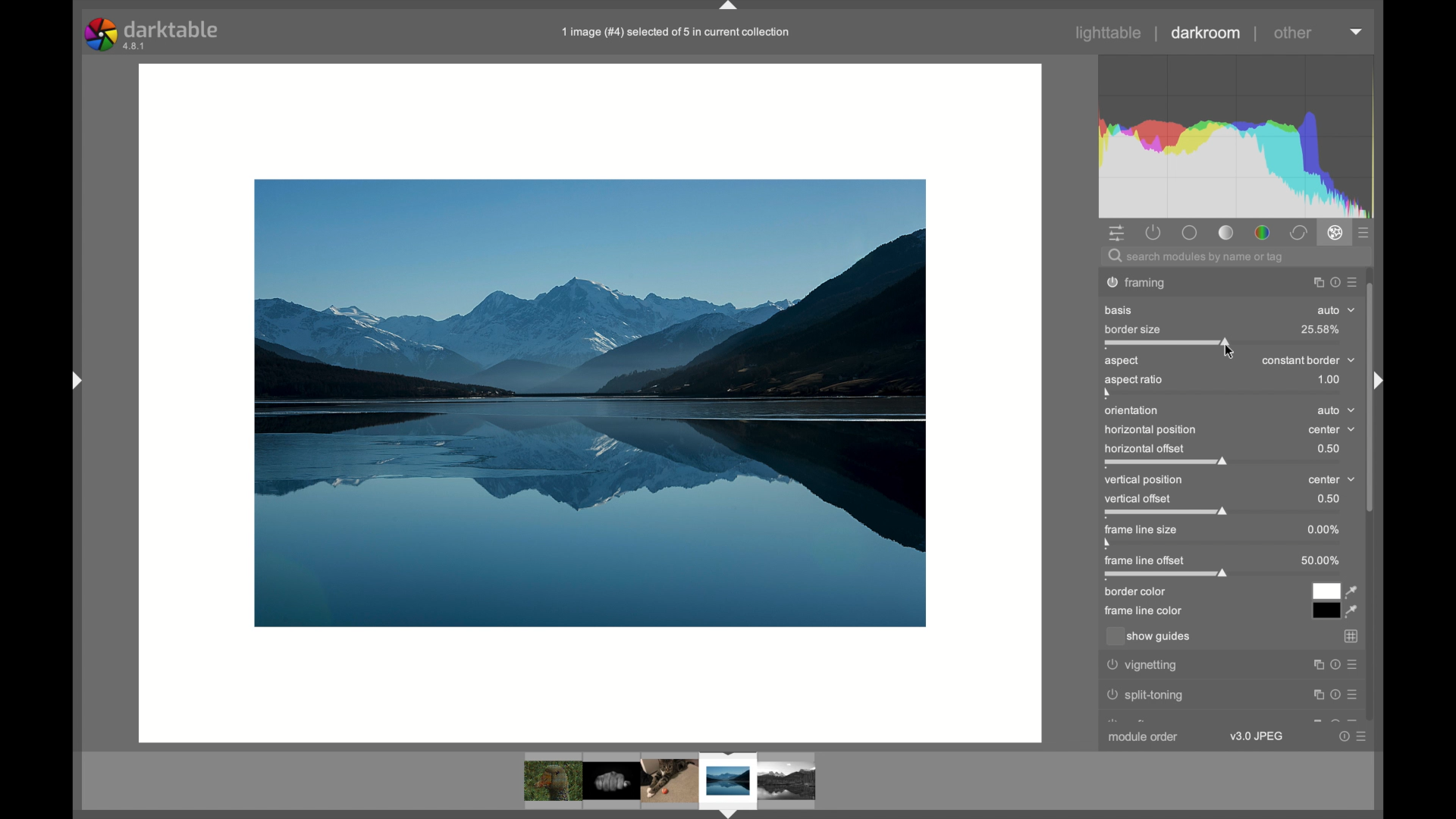  Describe the element at coordinates (1309, 360) in the screenshot. I see `constant border dropdown` at that location.